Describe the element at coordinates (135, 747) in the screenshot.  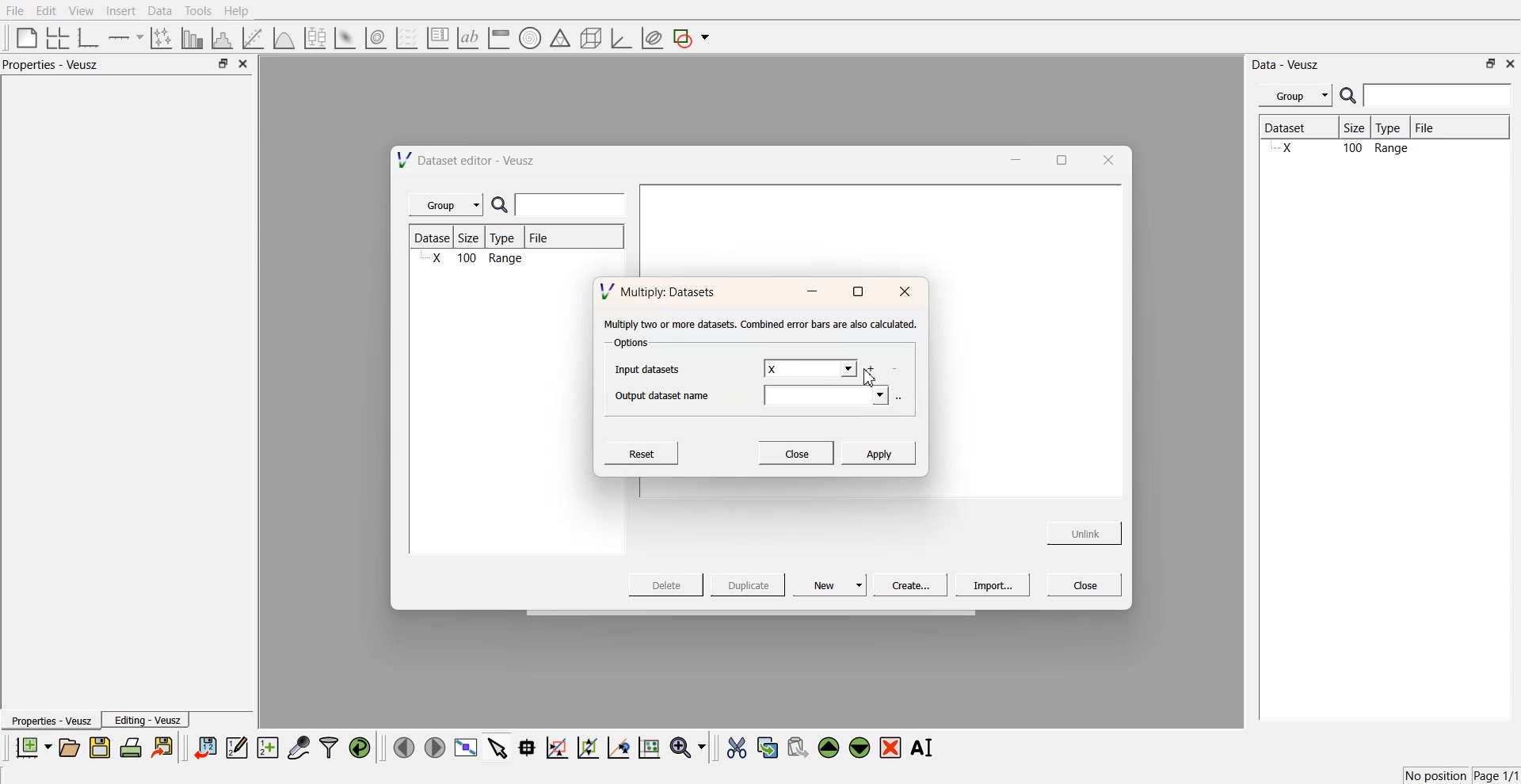
I see `print` at that location.